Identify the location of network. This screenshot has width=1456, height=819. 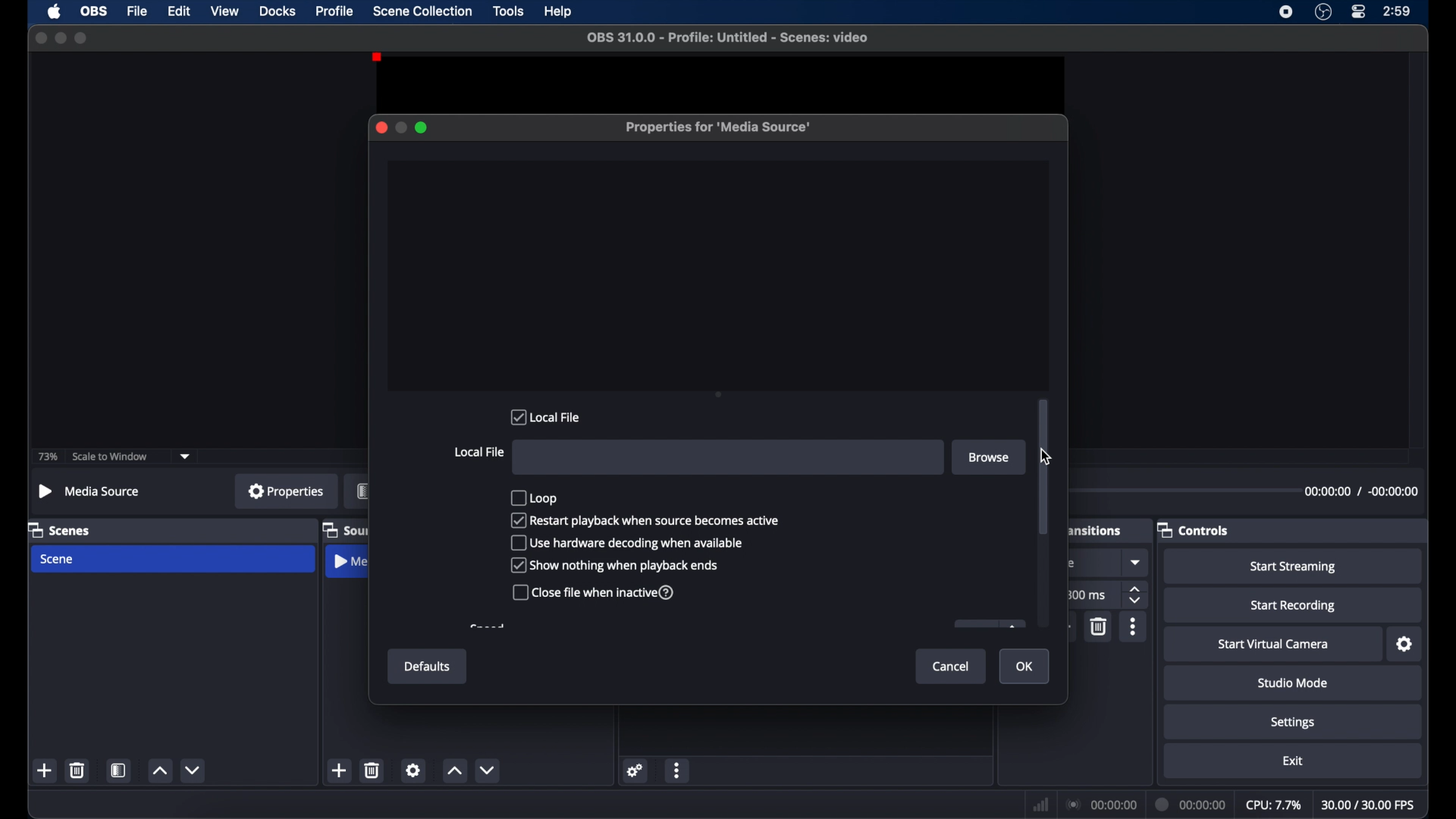
(1041, 805).